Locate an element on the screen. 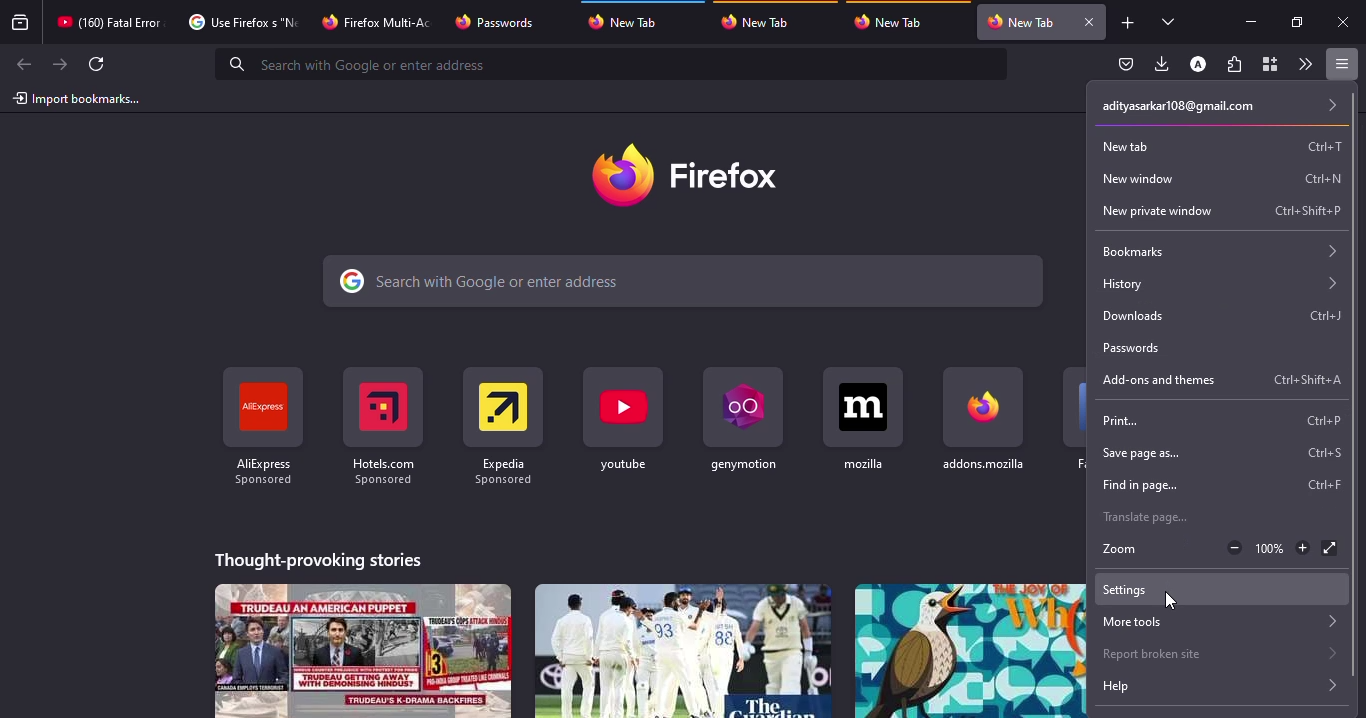  passwords is located at coordinates (1133, 348).